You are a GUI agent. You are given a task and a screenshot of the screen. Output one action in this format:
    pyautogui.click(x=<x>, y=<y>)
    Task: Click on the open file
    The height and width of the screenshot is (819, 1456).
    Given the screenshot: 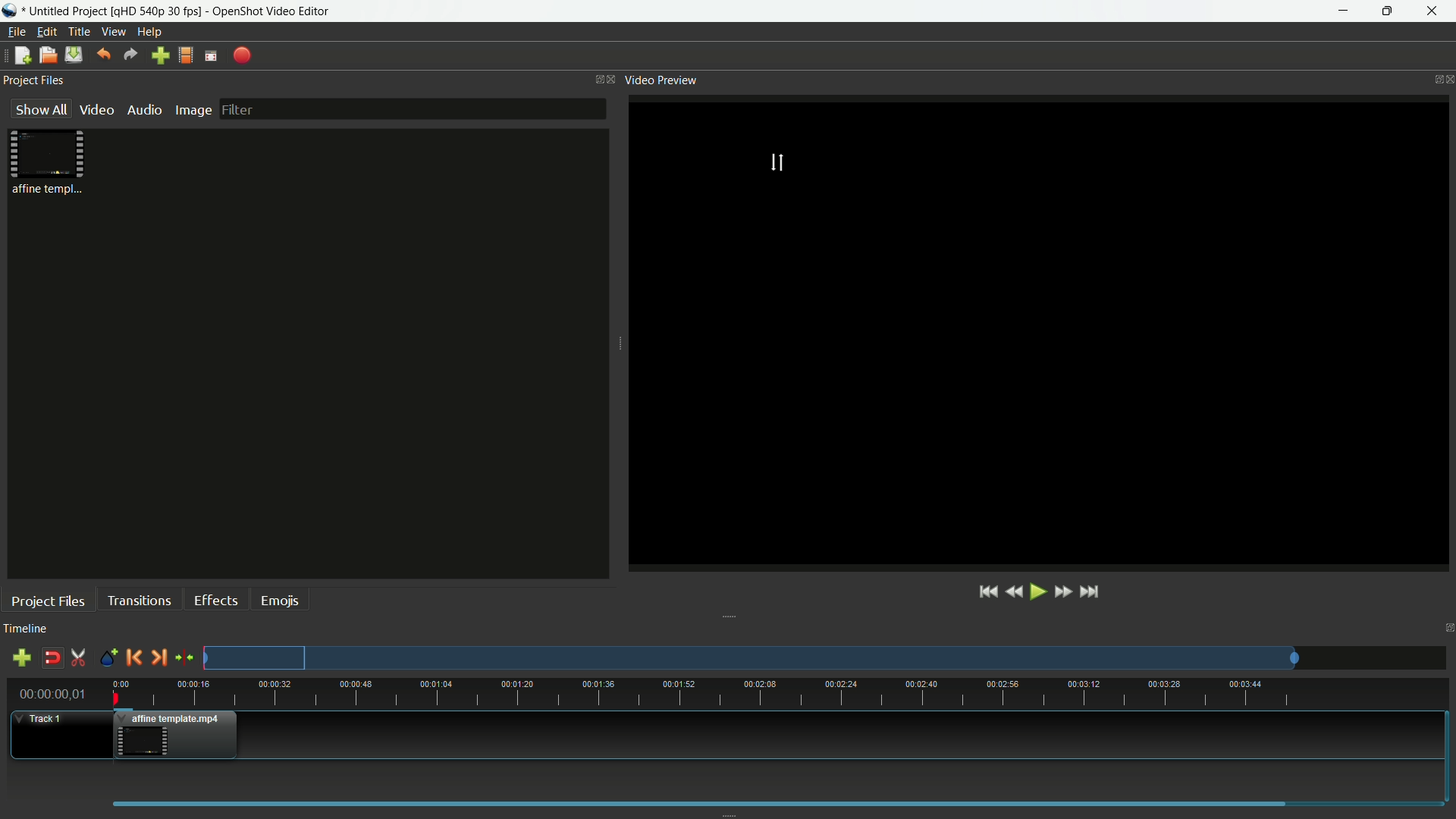 What is the action you would take?
    pyautogui.click(x=46, y=55)
    